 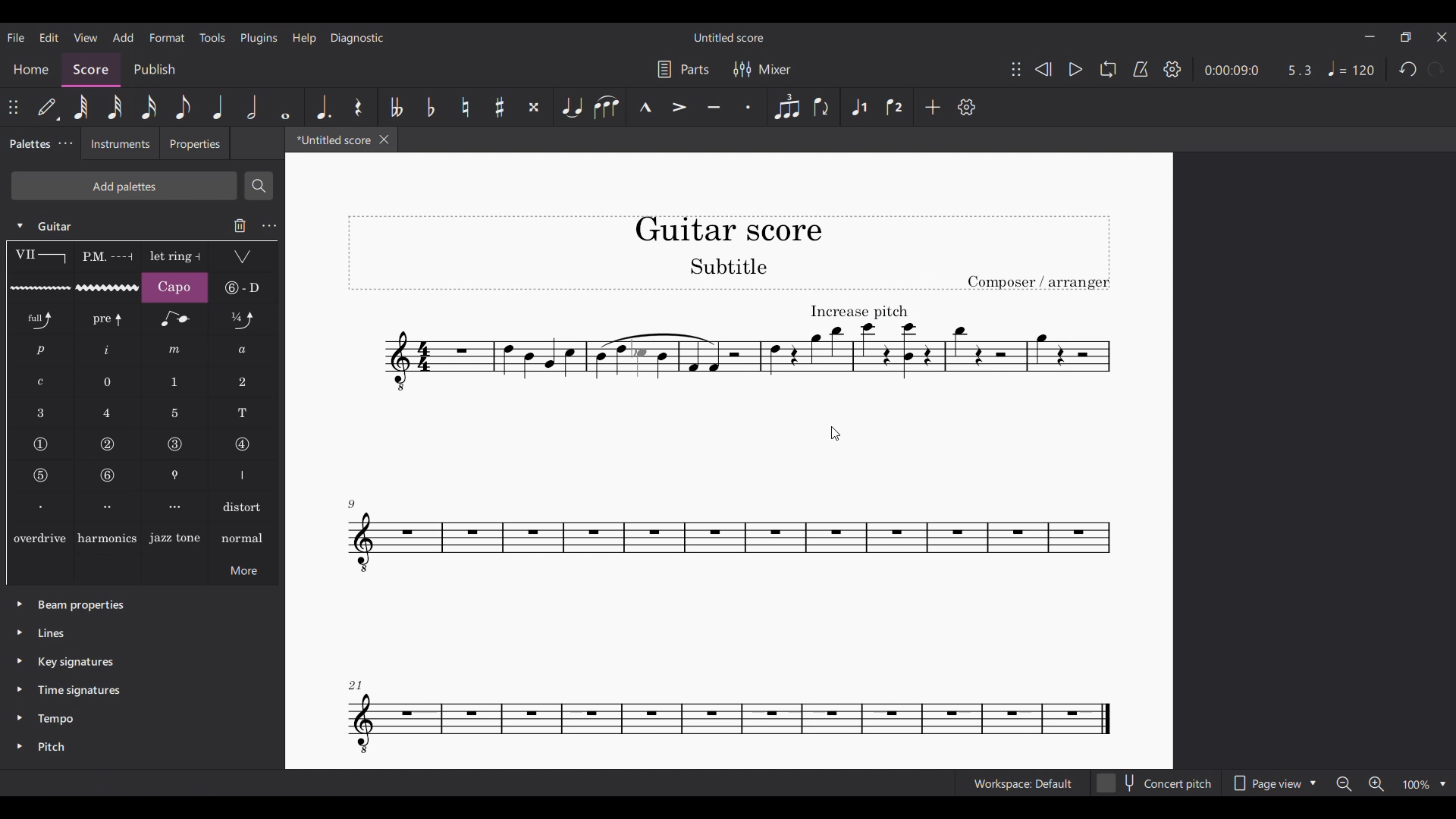 What do you see at coordinates (175, 413) in the screenshot?
I see `LH guitar fingering 5` at bounding box center [175, 413].